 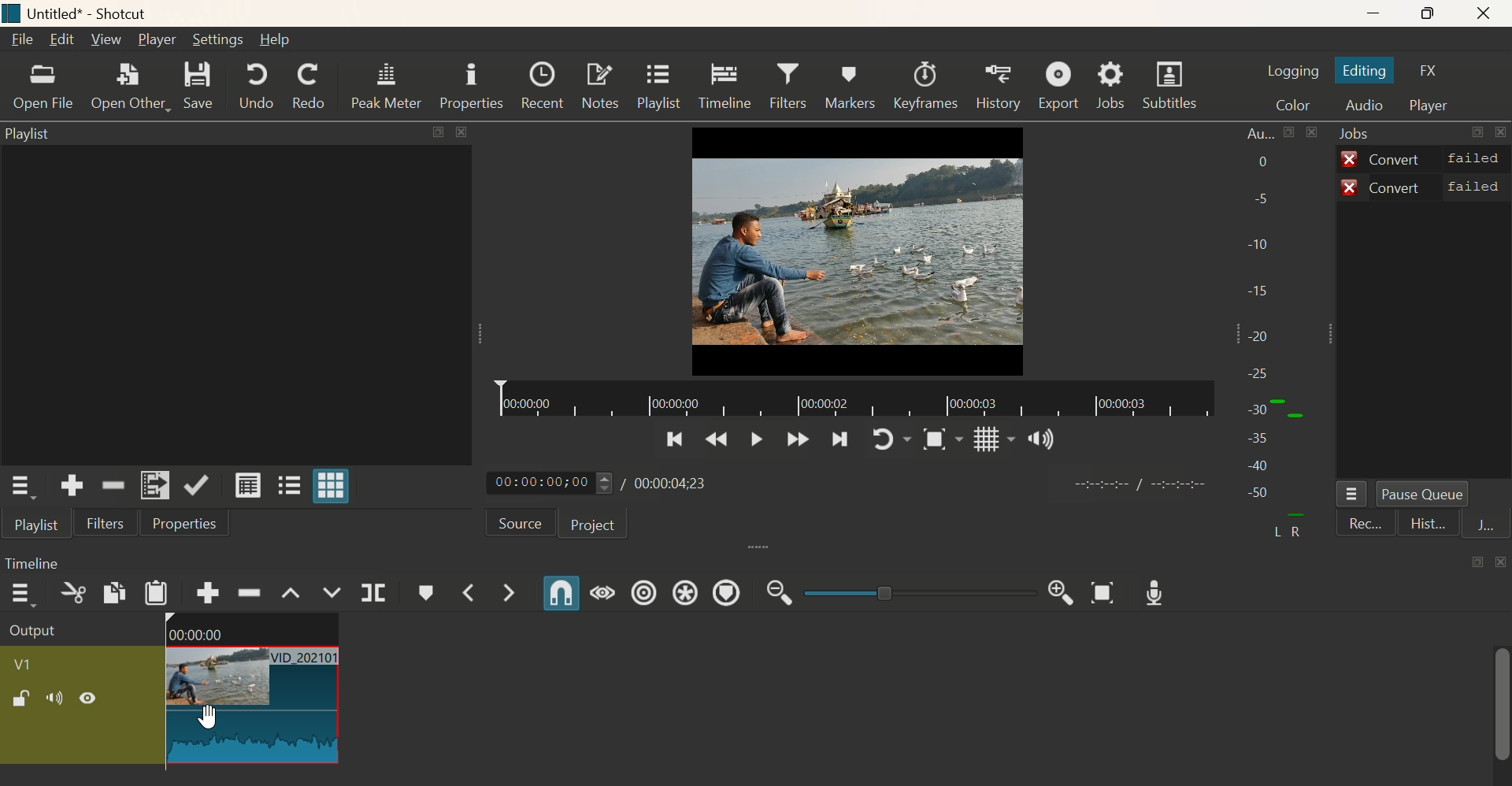 I want to click on Logging, so click(x=1292, y=69).